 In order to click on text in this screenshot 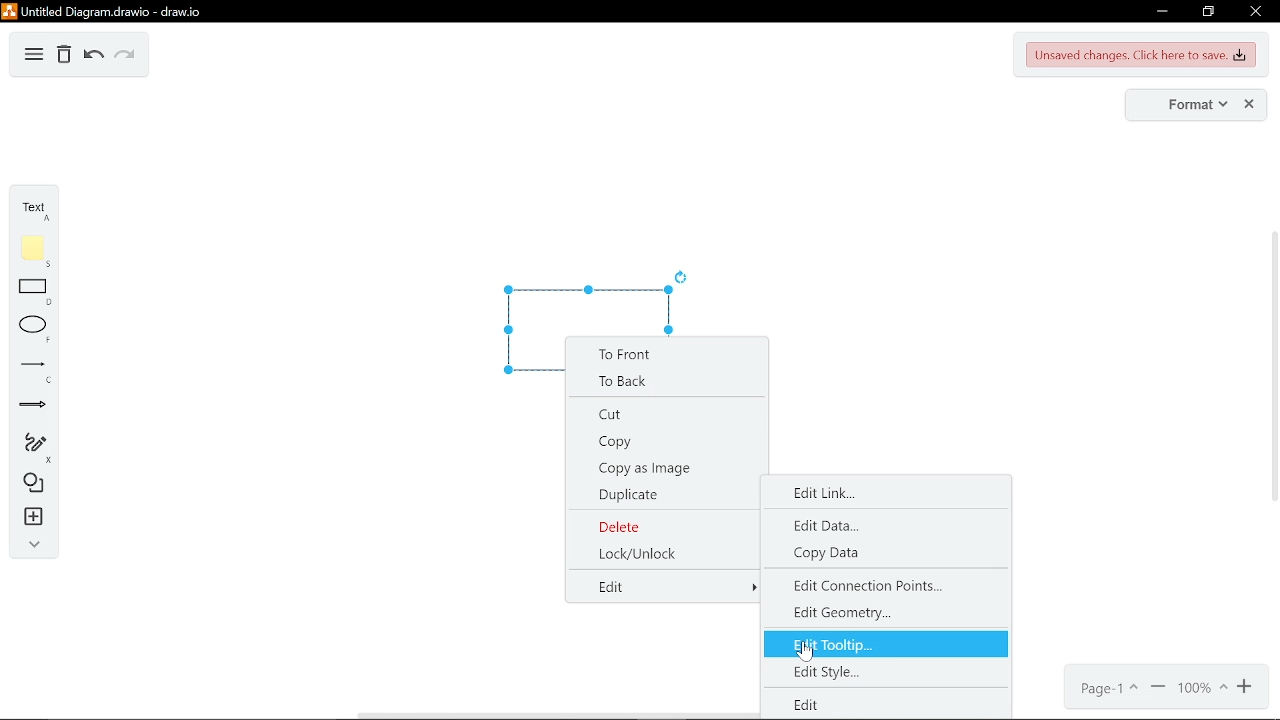, I will do `click(38, 211)`.